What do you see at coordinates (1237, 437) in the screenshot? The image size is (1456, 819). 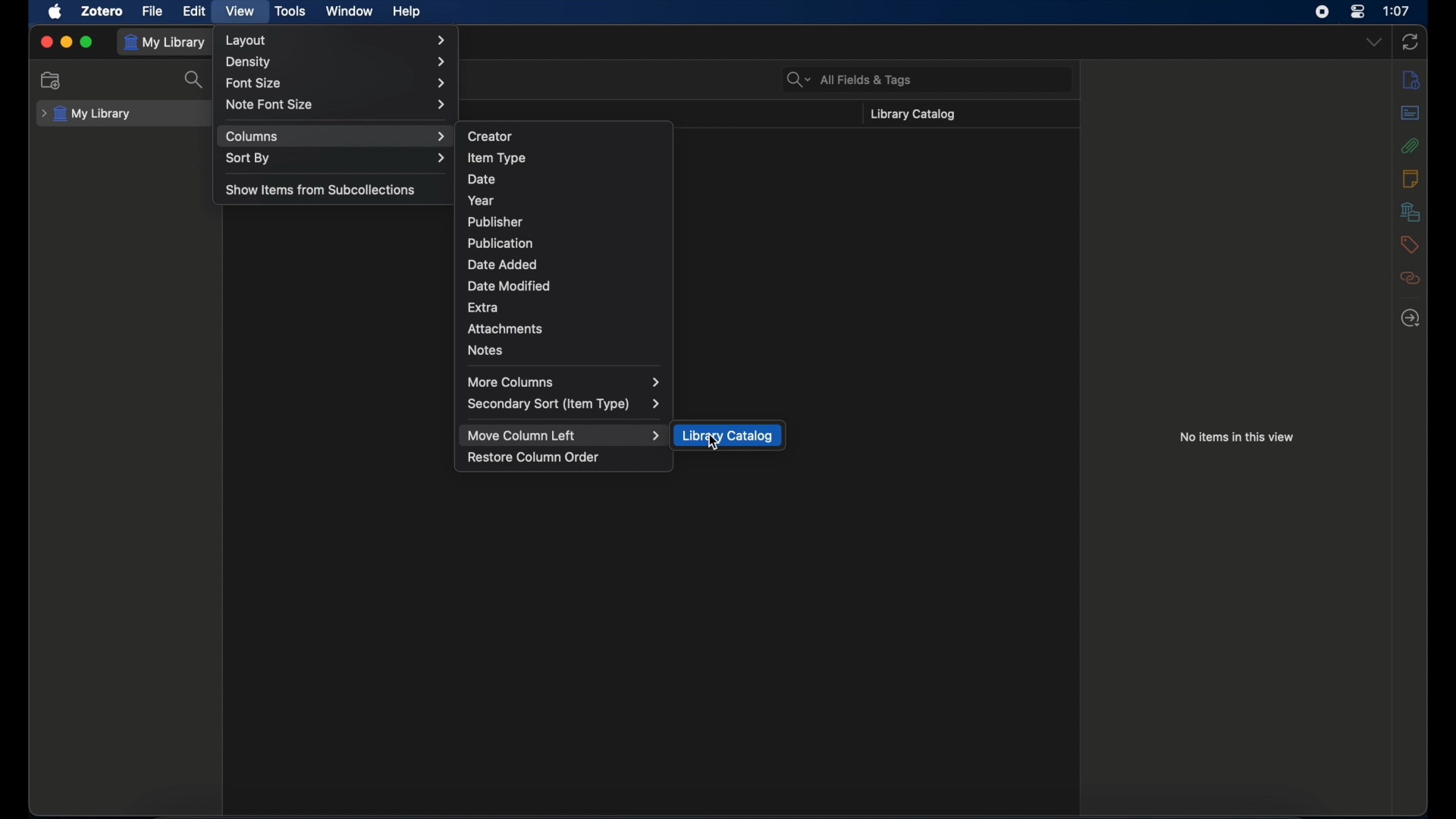 I see `no items in this view` at bounding box center [1237, 437].